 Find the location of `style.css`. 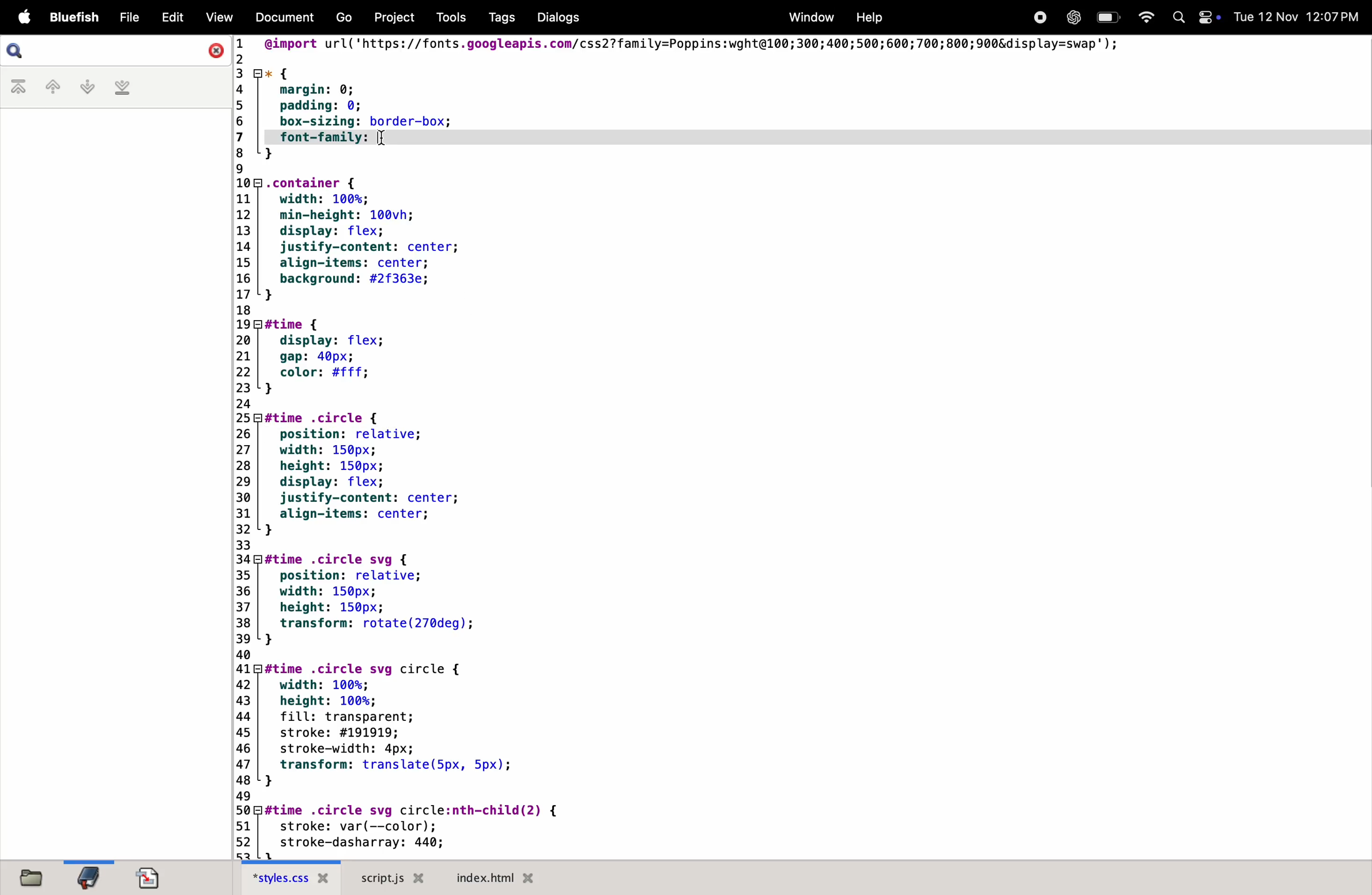

style.css is located at coordinates (296, 878).